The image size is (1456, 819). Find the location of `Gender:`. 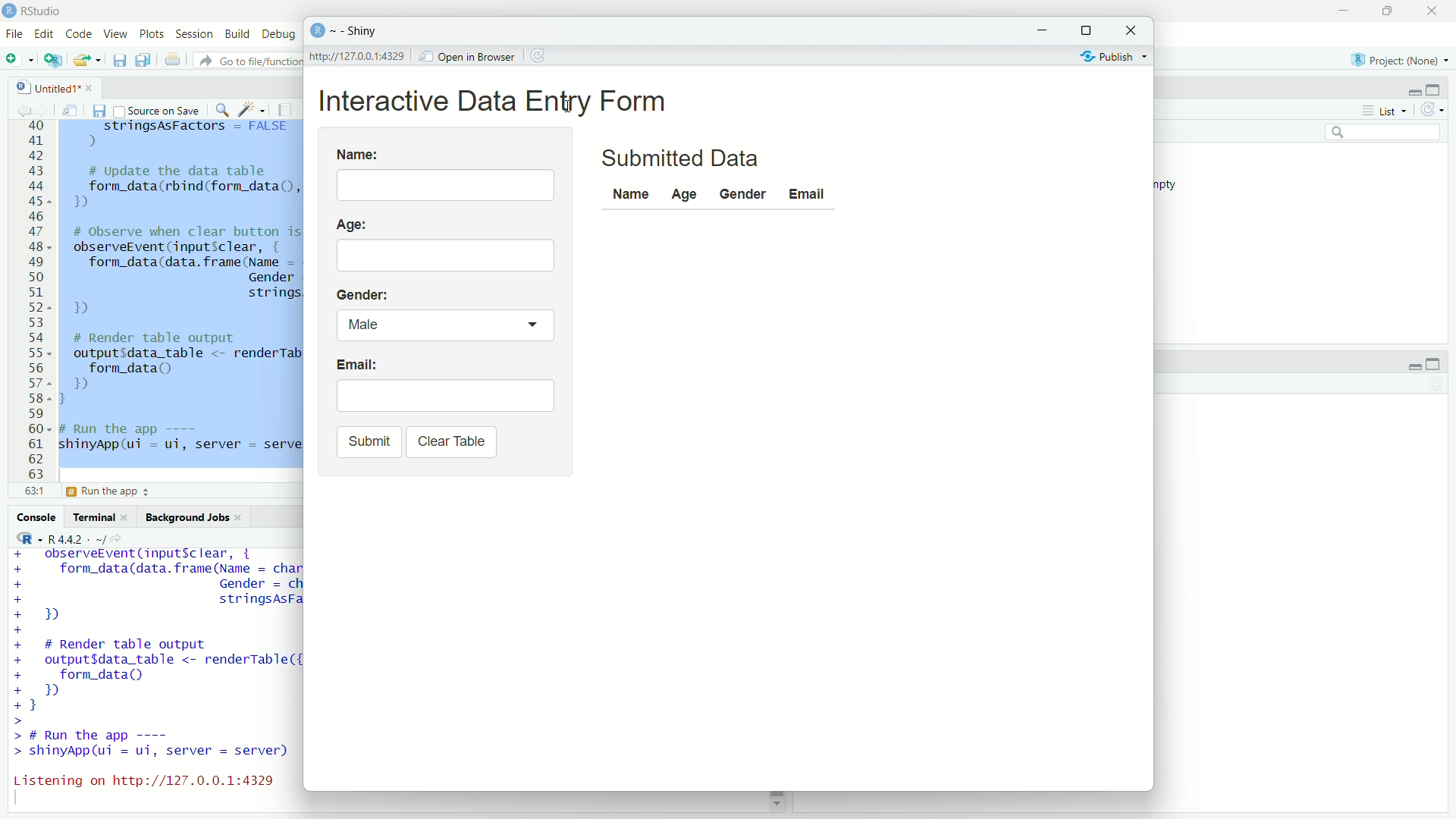

Gender: is located at coordinates (363, 293).